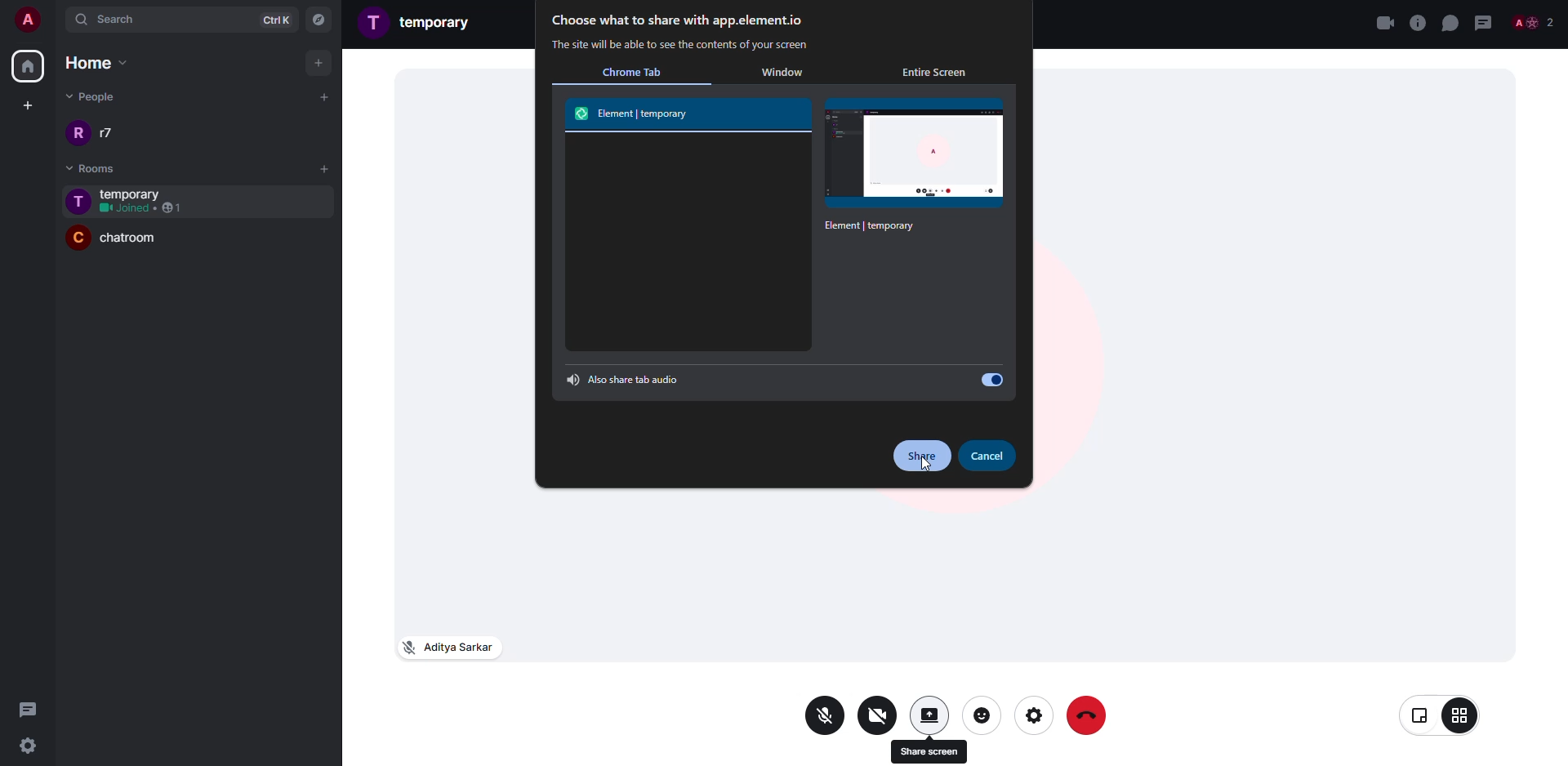  I want to click on cancel, so click(988, 456).